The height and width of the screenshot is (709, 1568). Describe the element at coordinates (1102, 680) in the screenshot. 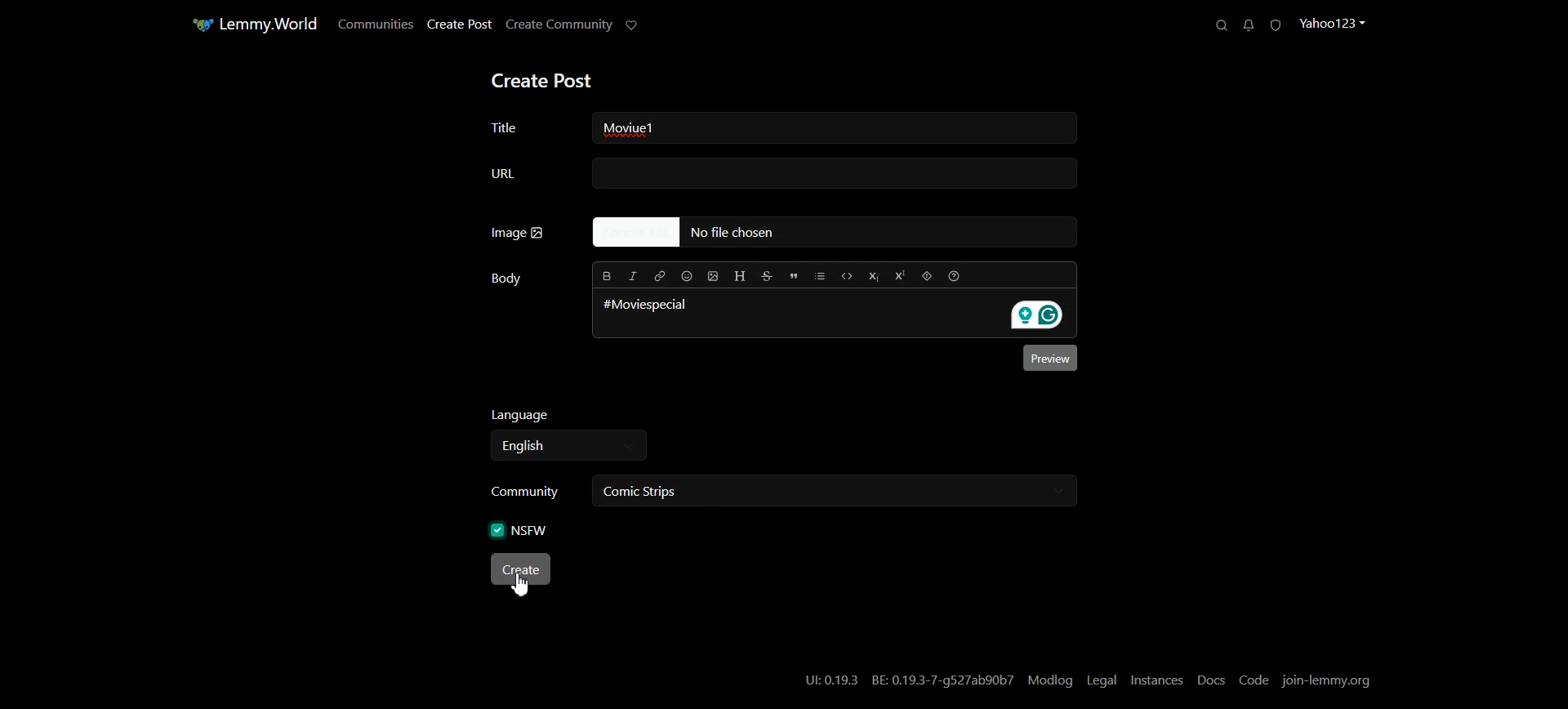

I see `Legal` at that location.